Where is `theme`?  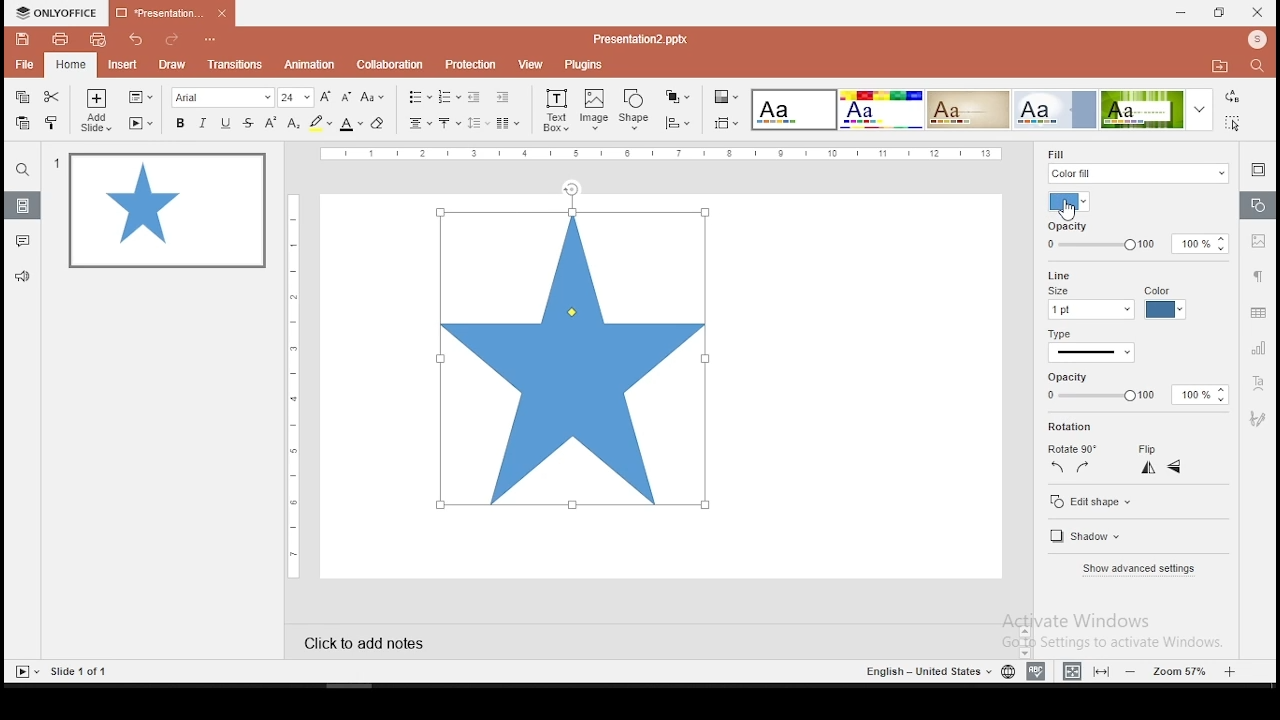
theme is located at coordinates (795, 111).